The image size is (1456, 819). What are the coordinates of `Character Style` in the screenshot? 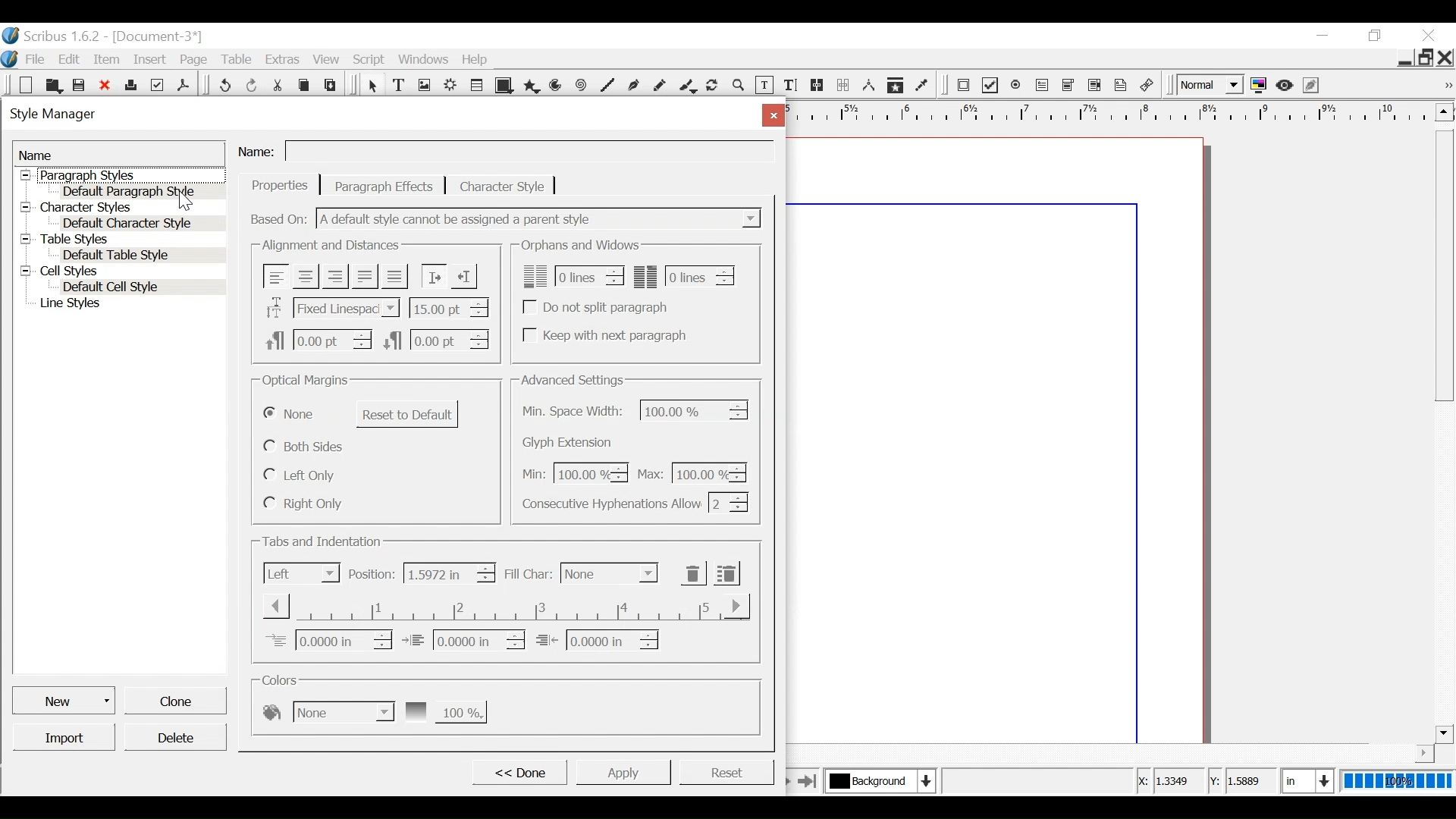 It's located at (503, 186).